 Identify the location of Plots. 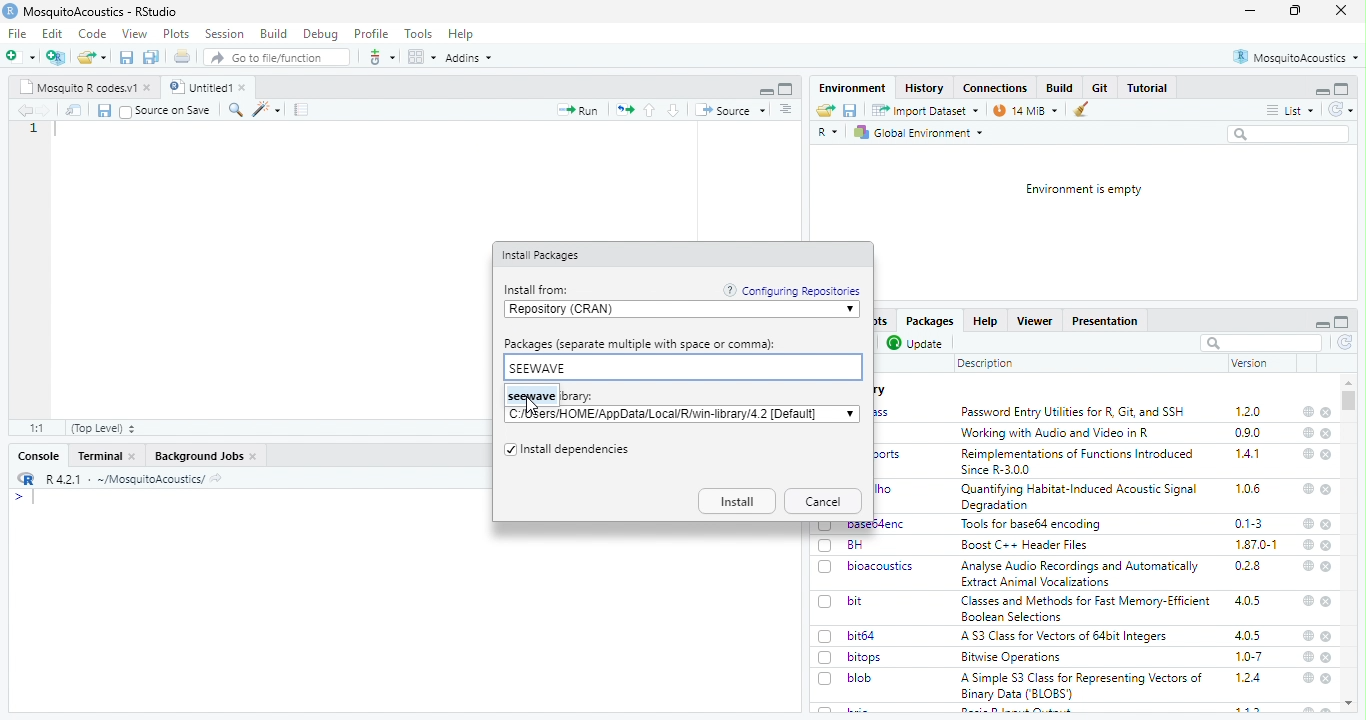
(178, 34).